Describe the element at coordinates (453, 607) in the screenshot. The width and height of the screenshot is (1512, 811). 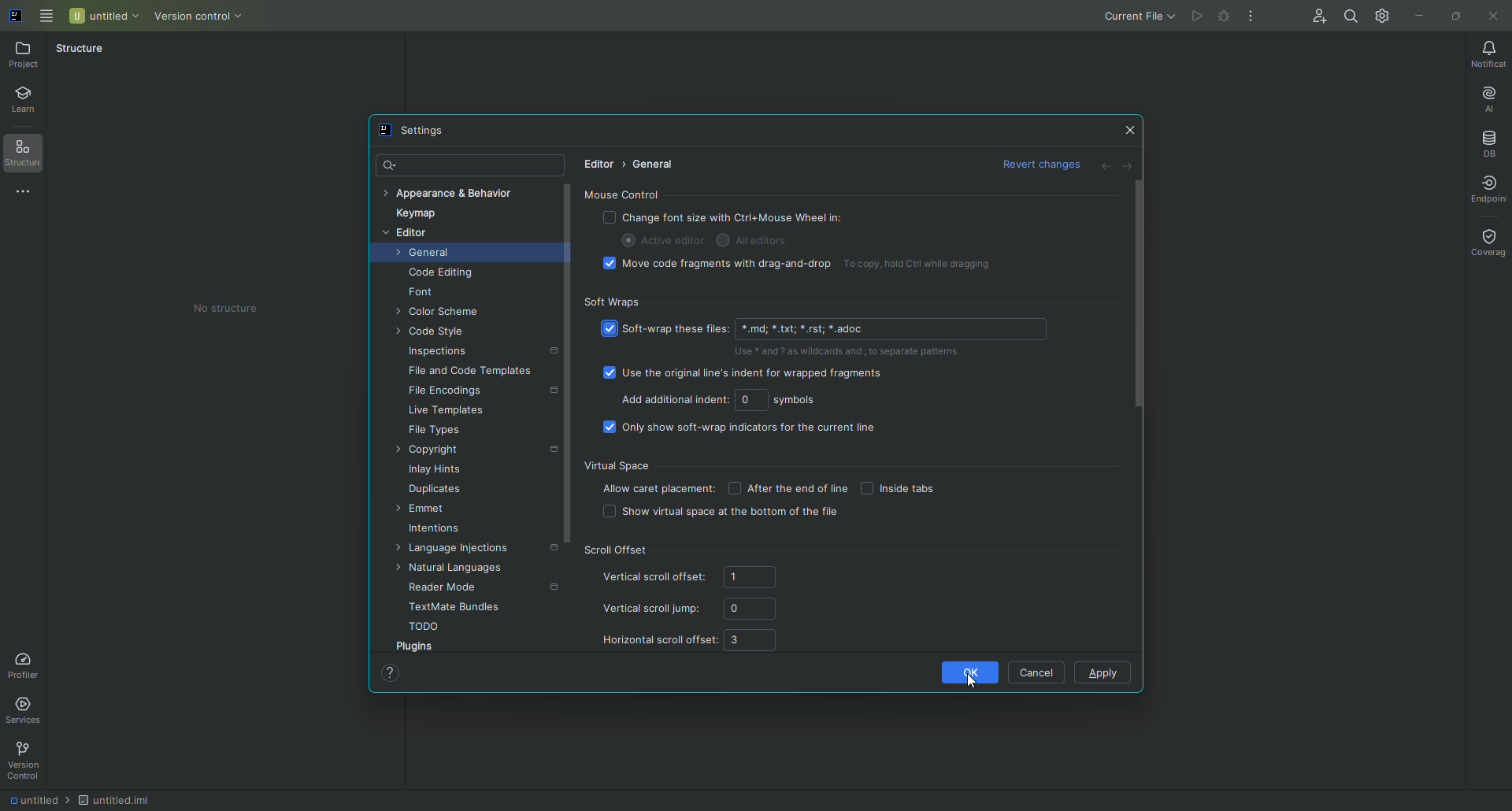
I see `TextMate Bundles` at that location.